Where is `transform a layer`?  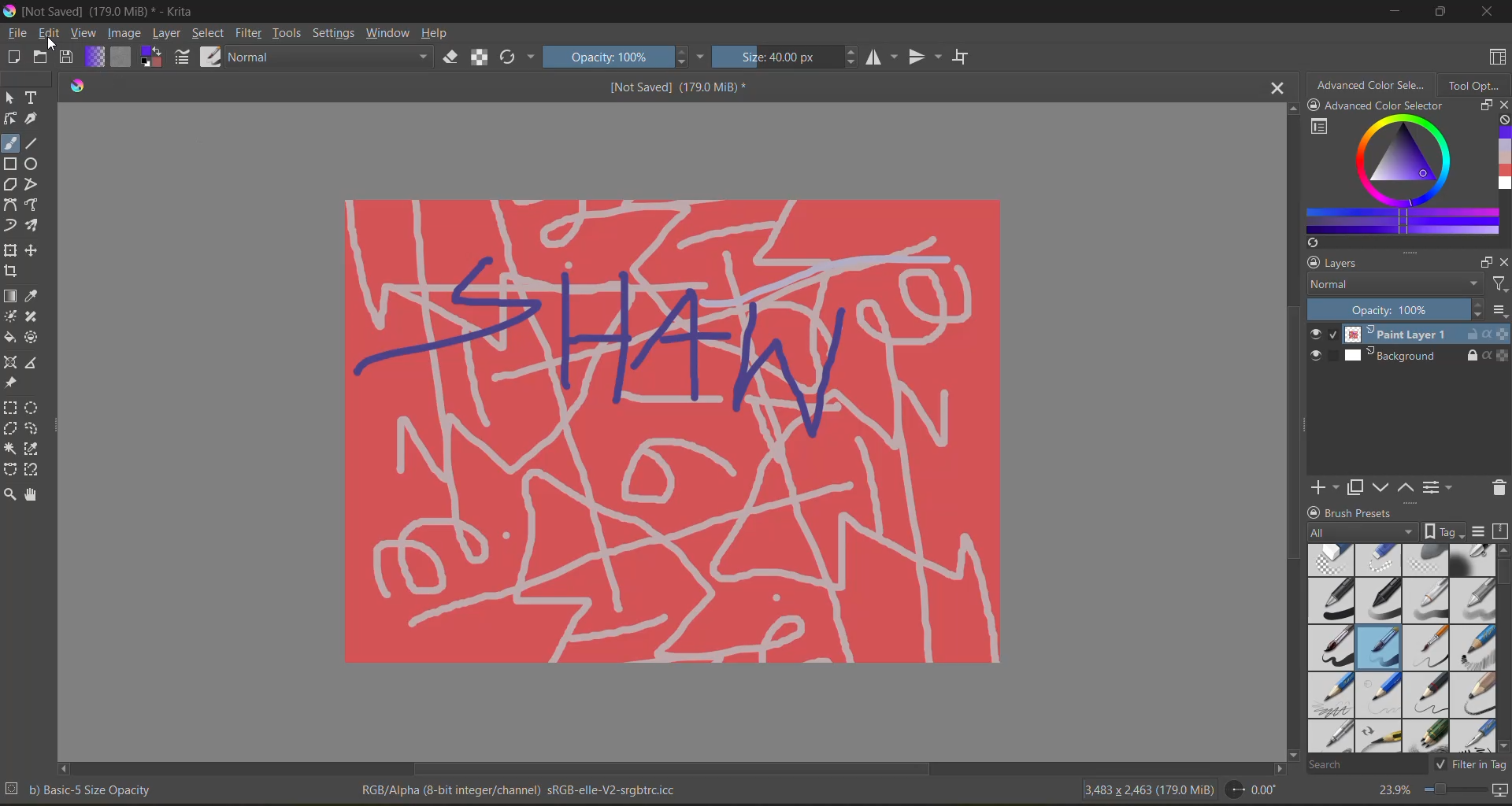 transform a layer is located at coordinates (12, 250).